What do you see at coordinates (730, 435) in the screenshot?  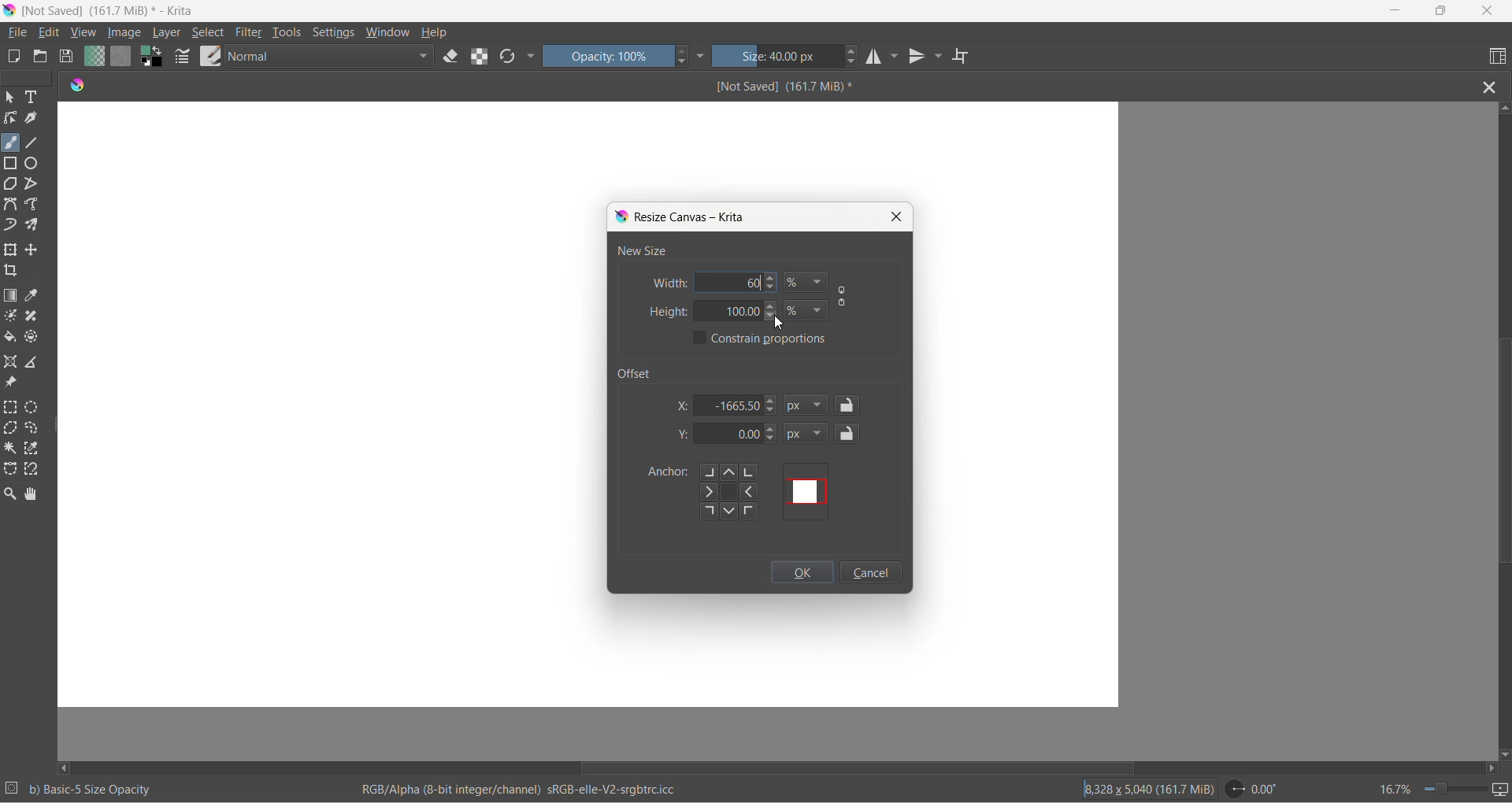 I see `y-axis value box` at bounding box center [730, 435].